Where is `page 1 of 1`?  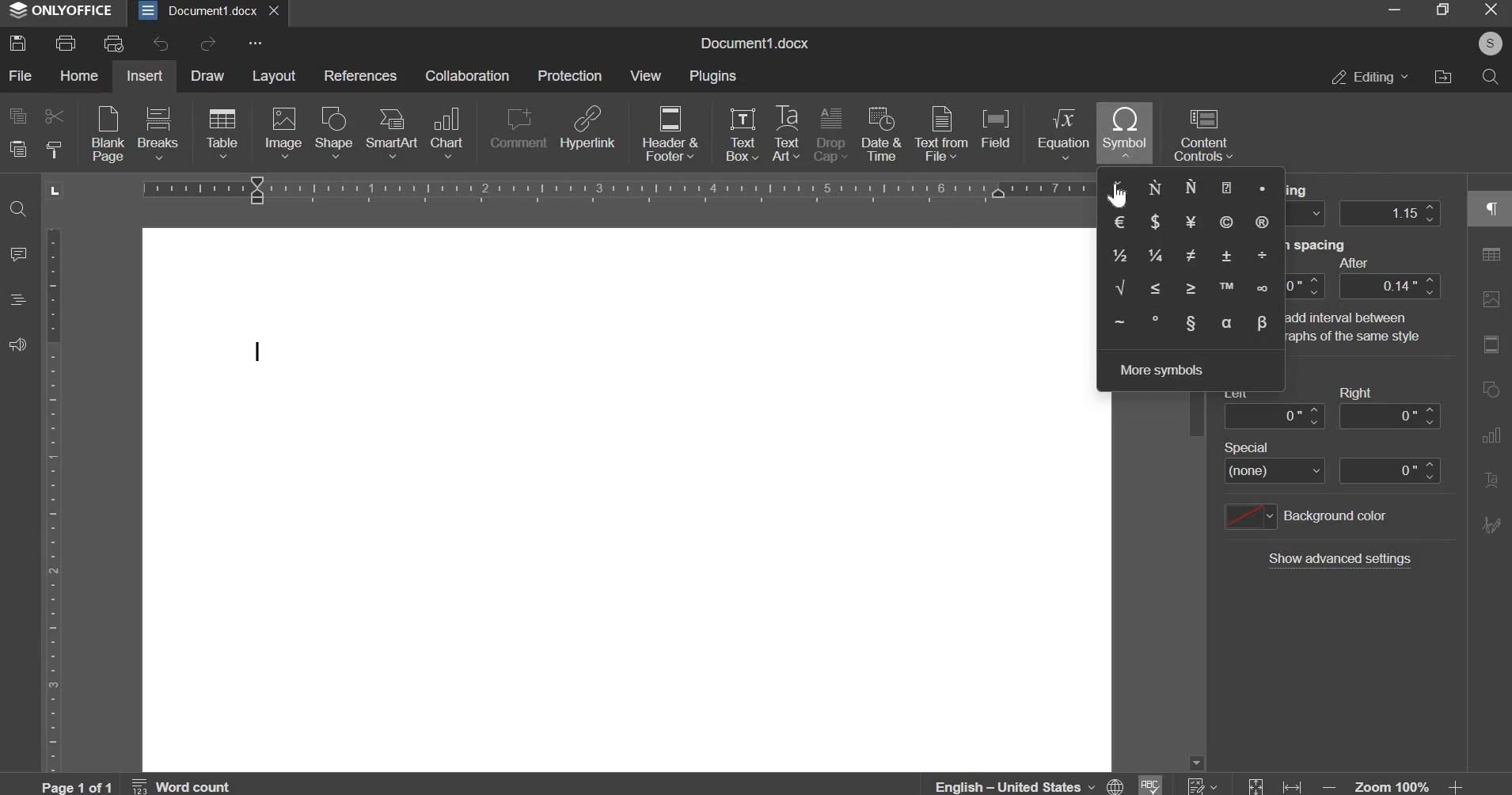 page 1 of 1 is located at coordinates (79, 786).